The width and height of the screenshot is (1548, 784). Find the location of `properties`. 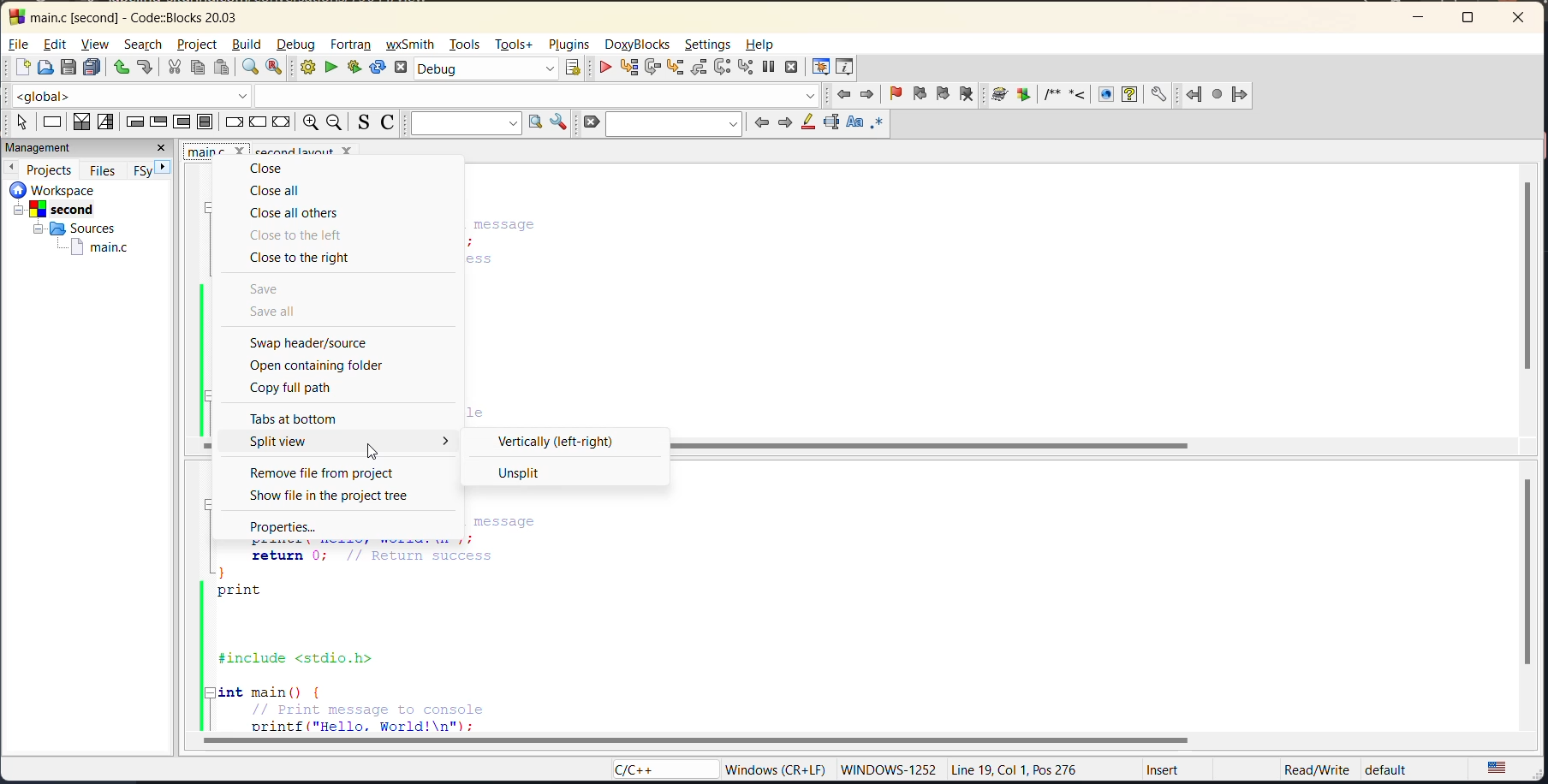

properties is located at coordinates (283, 526).